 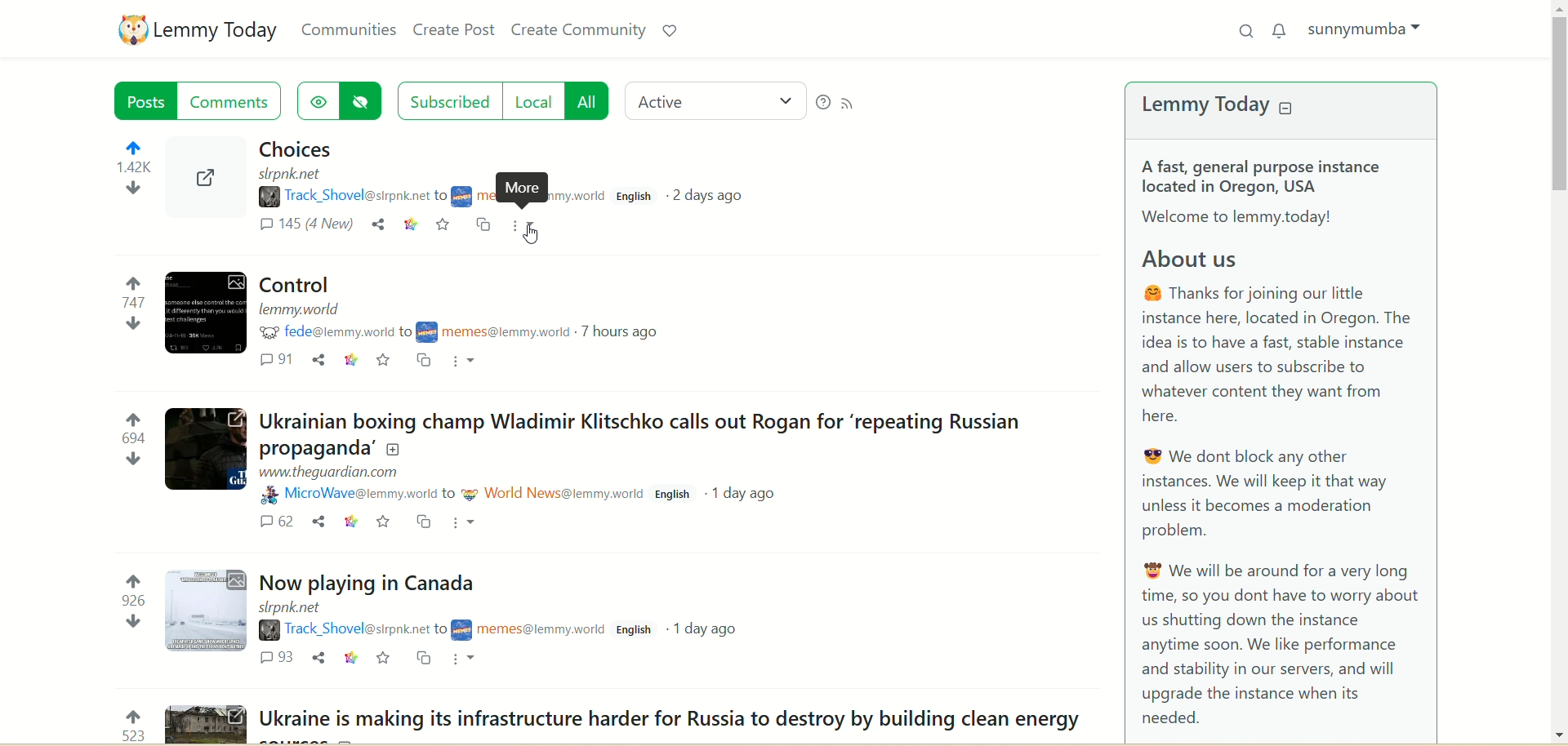 I want to click on help, so click(x=821, y=104).